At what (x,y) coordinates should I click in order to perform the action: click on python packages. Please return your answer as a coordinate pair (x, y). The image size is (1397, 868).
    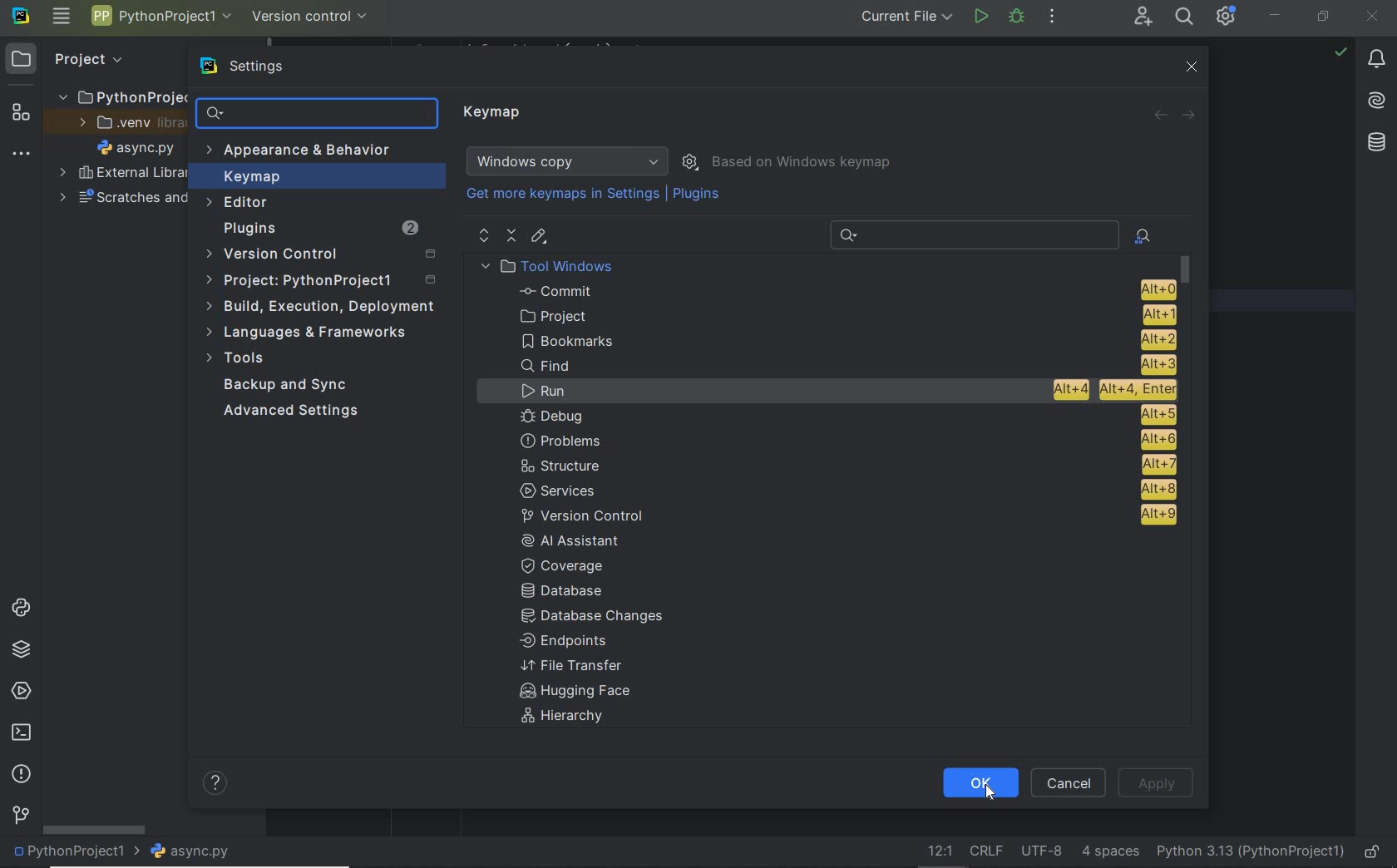
    Looking at the image, I should click on (20, 650).